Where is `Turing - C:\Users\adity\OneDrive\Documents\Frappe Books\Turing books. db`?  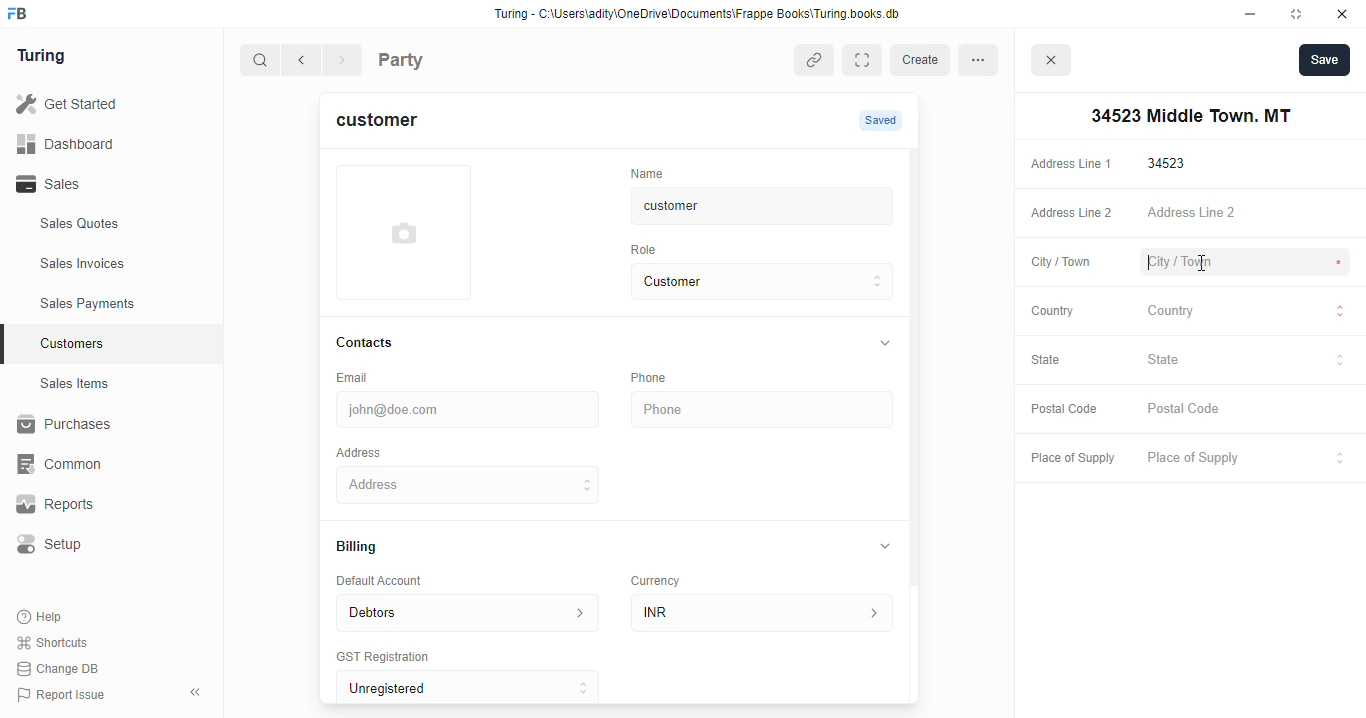 Turing - C:\Users\adity\OneDrive\Documents\Frappe Books\Turing books. db is located at coordinates (703, 16).